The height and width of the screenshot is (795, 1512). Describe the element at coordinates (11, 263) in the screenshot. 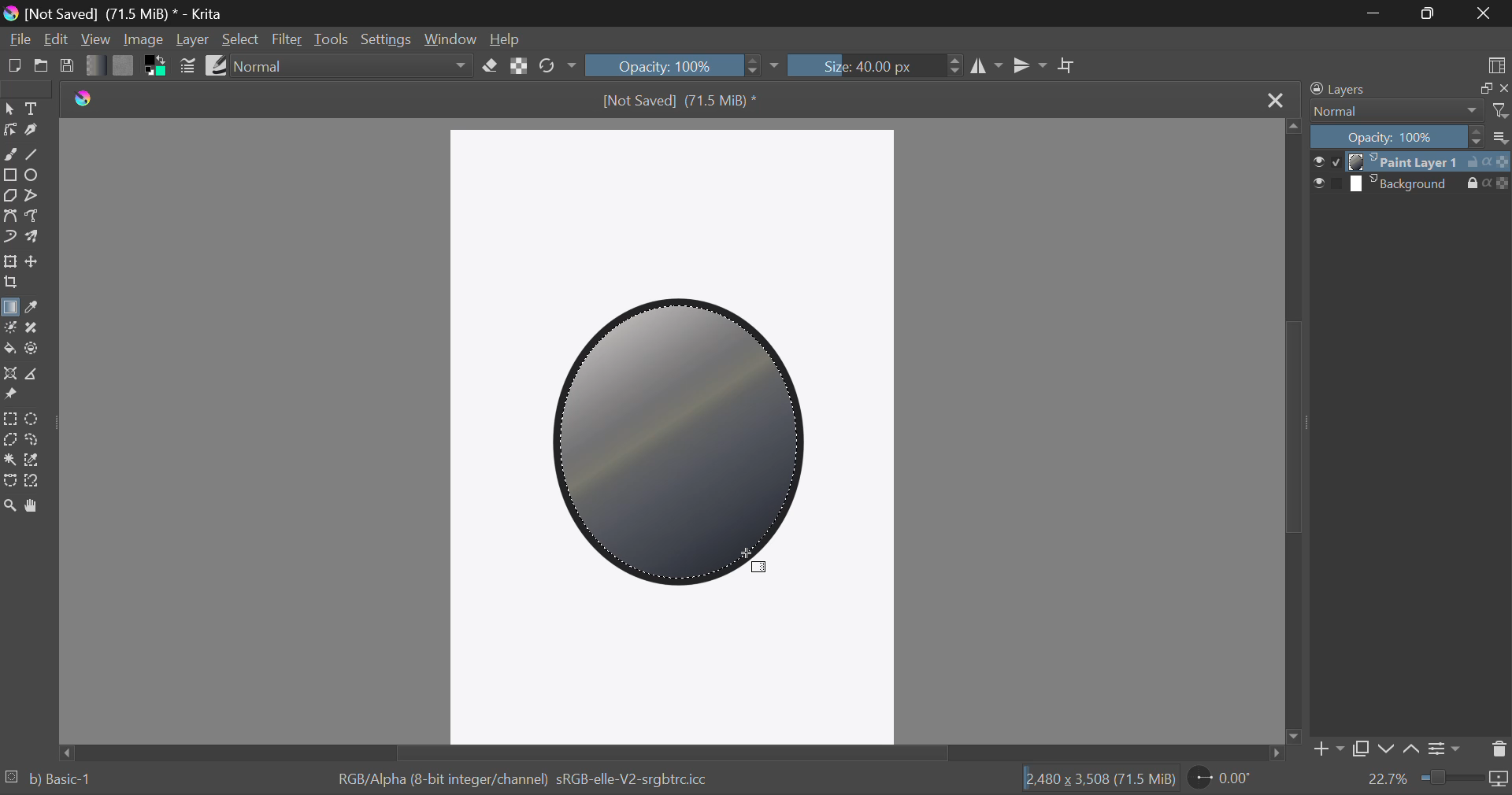

I see `Transform Layer` at that location.